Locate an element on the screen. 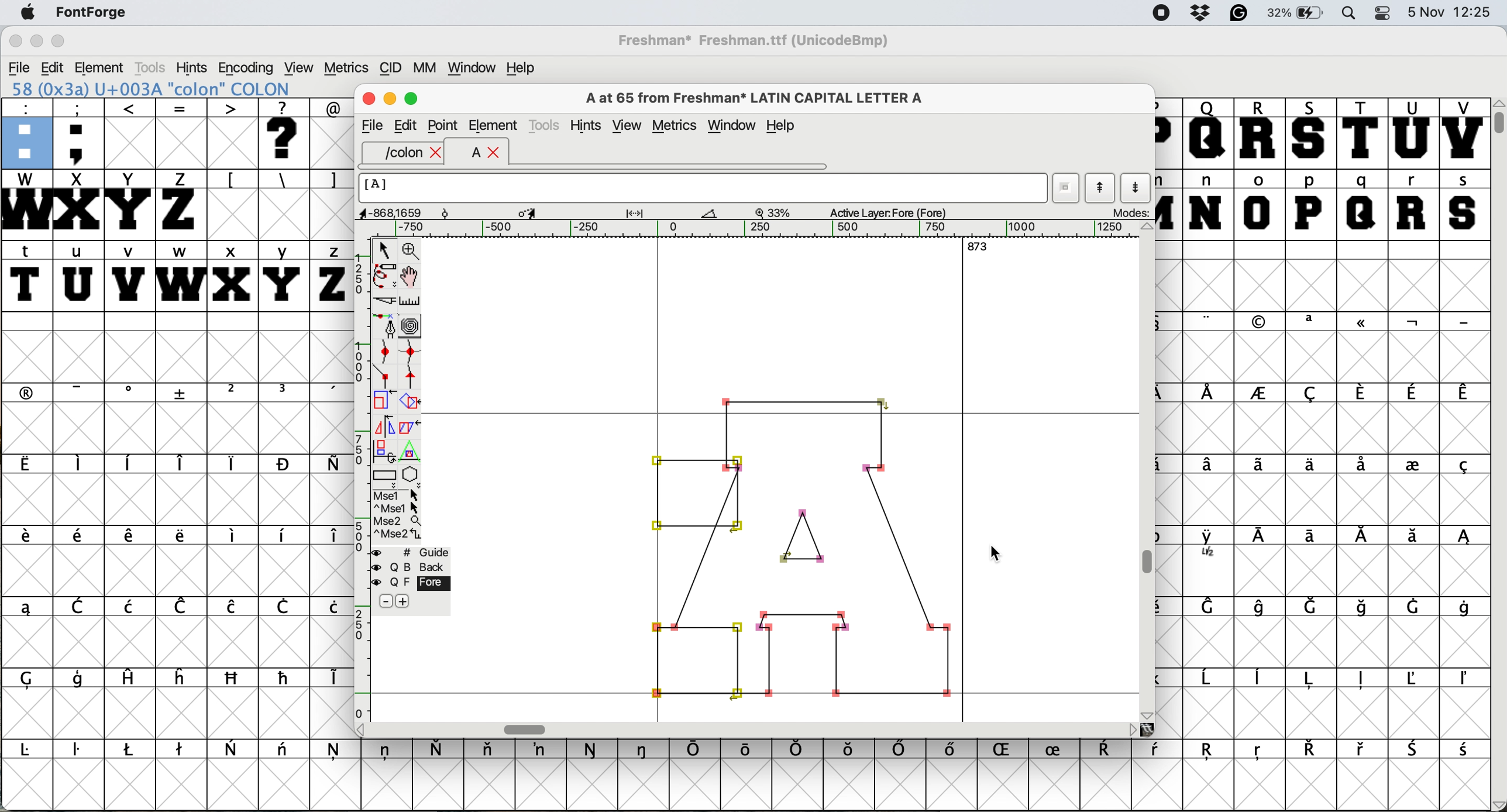 This screenshot has width=1507, height=812. dropbox is located at coordinates (1199, 13).